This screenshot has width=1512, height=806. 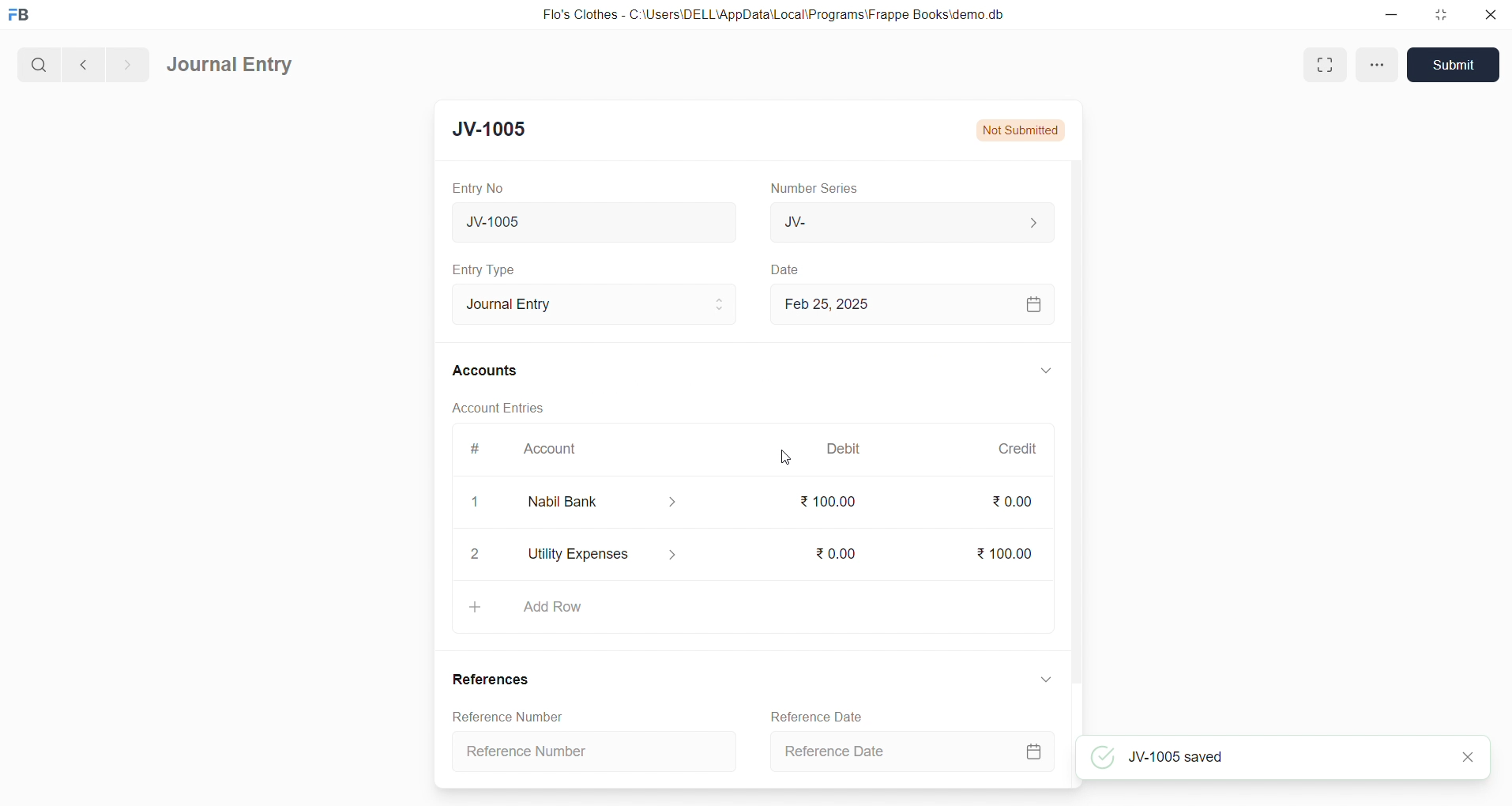 What do you see at coordinates (910, 303) in the screenshot?
I see `Feb 25, 2025` at bounding box center [910, 303].